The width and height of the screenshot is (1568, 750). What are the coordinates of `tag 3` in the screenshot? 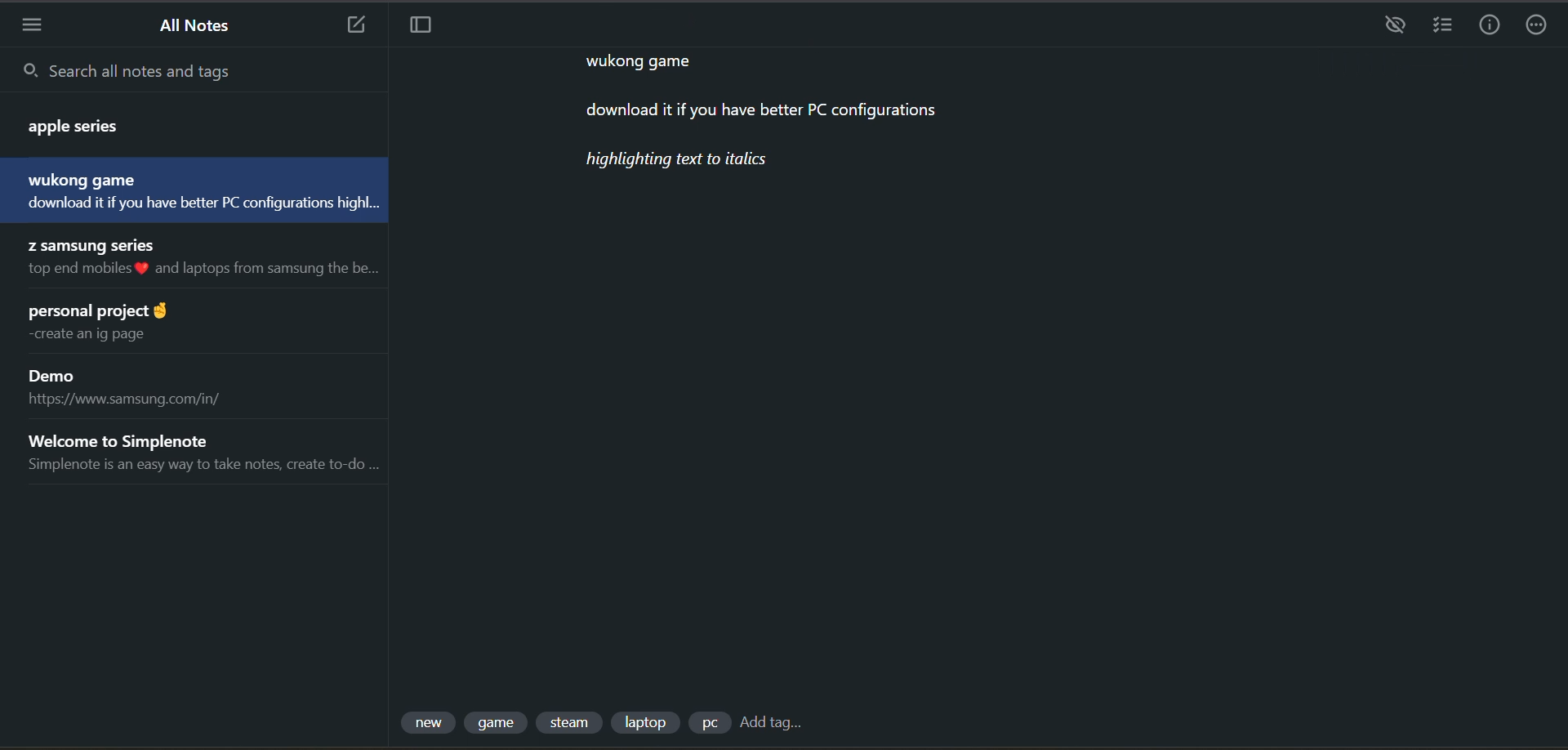 It's located at (572, 723).